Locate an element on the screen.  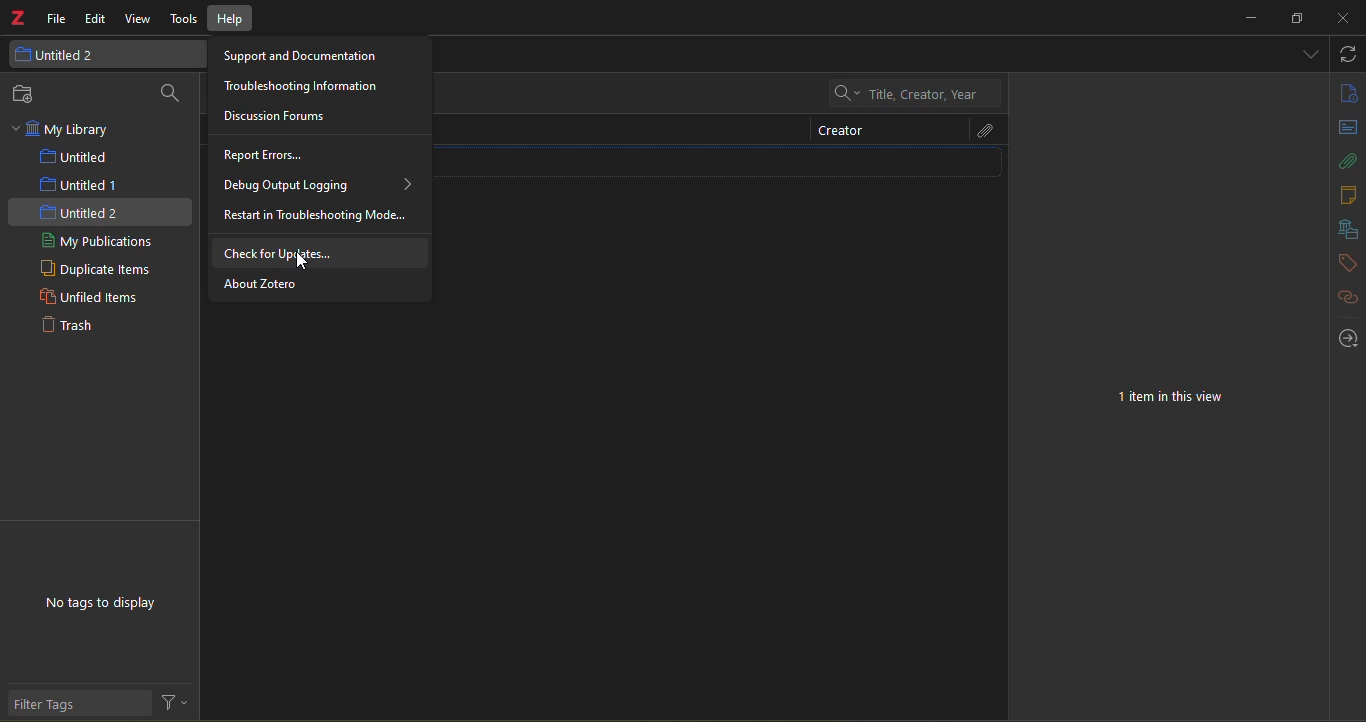
filter is located at coordinates (174, 702).